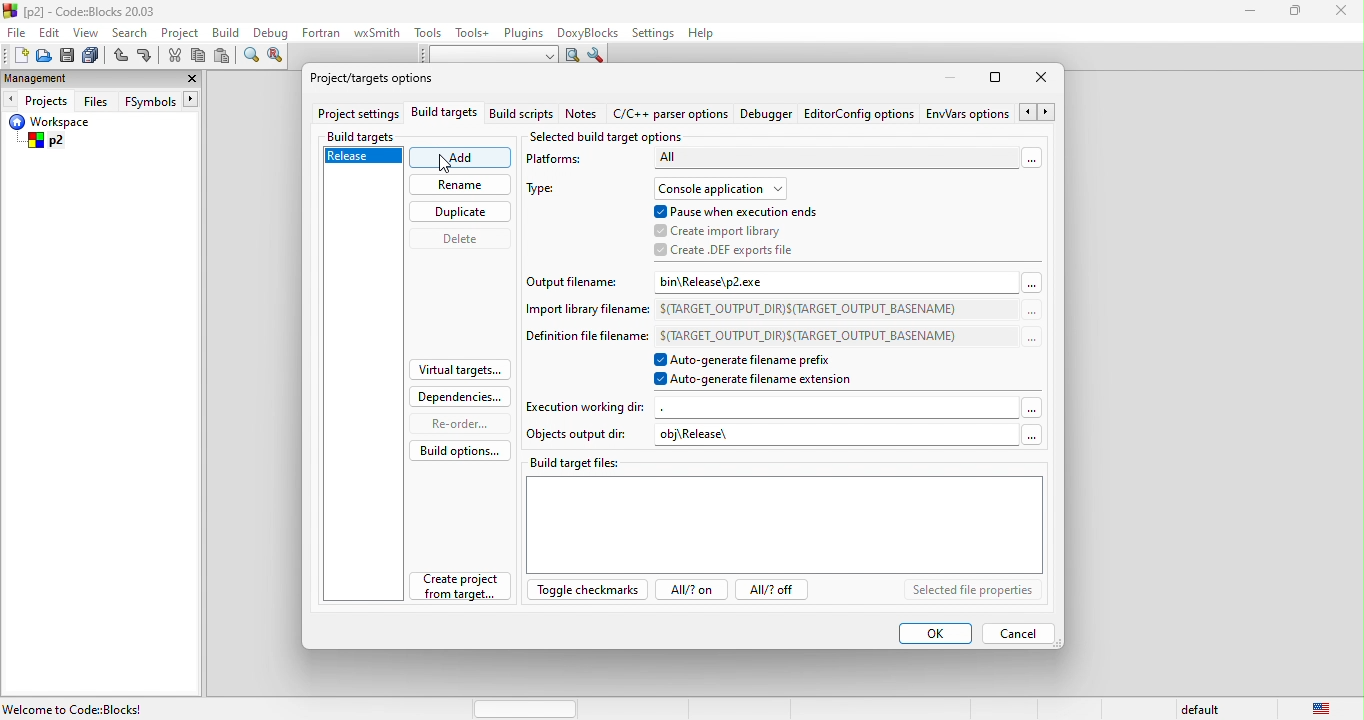 The height and width of the screenshot is (720, 1364). I want to click on all? off, so click(775, 591).